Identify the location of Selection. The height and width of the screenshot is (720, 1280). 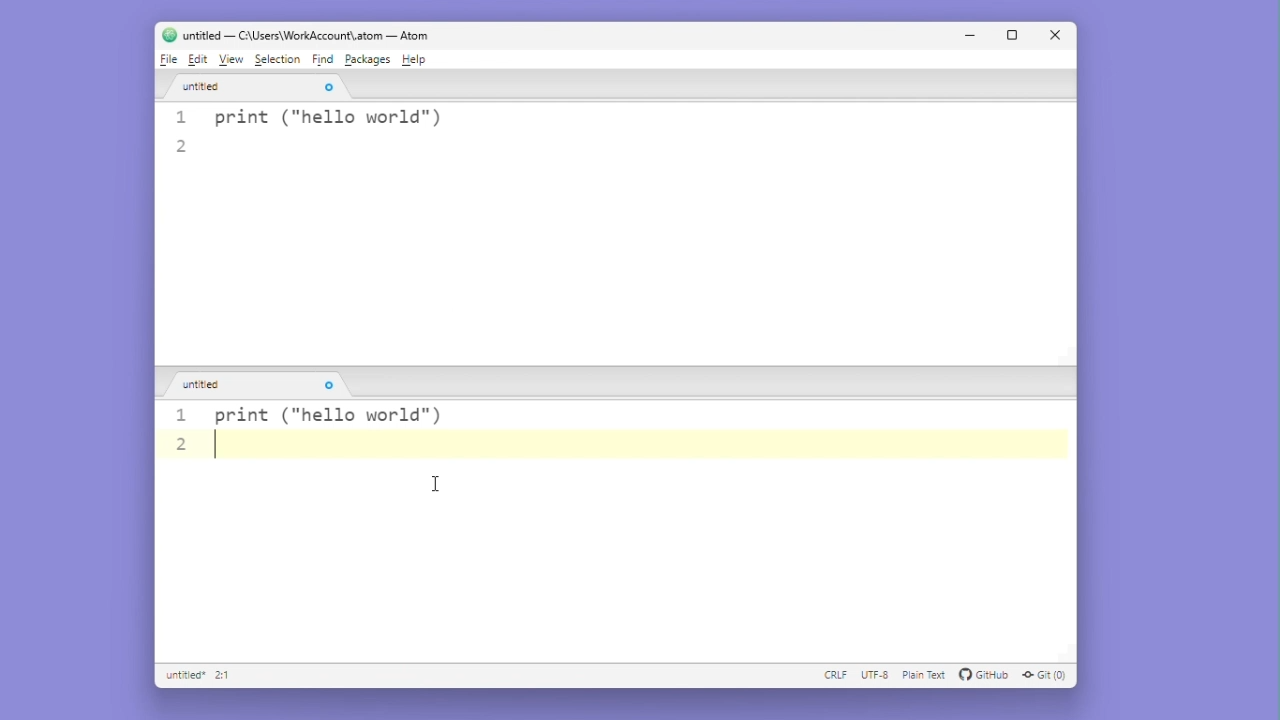
(278, 60).